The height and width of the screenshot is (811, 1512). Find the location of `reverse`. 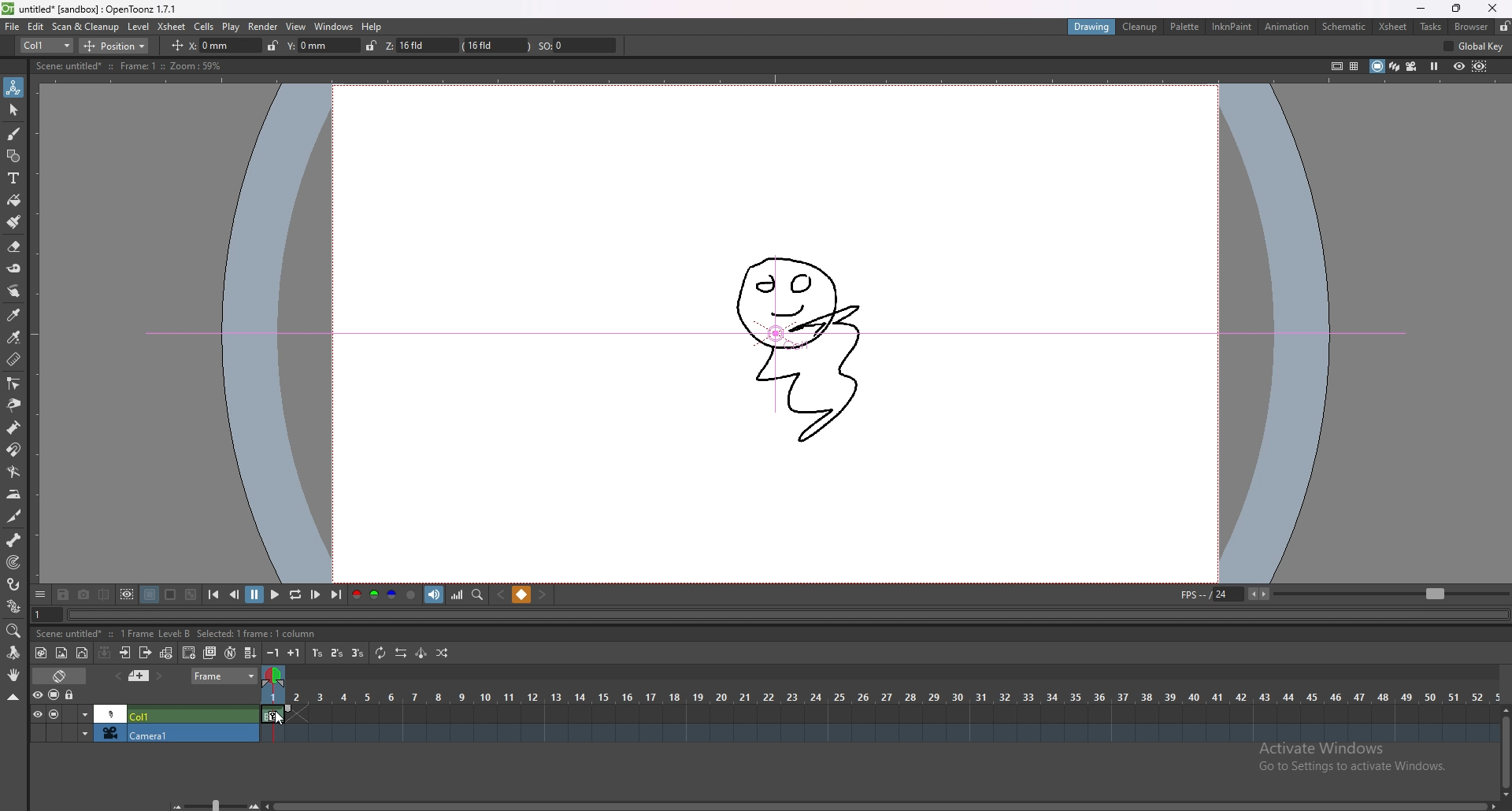

reverse is located at coordinates (399, 653).